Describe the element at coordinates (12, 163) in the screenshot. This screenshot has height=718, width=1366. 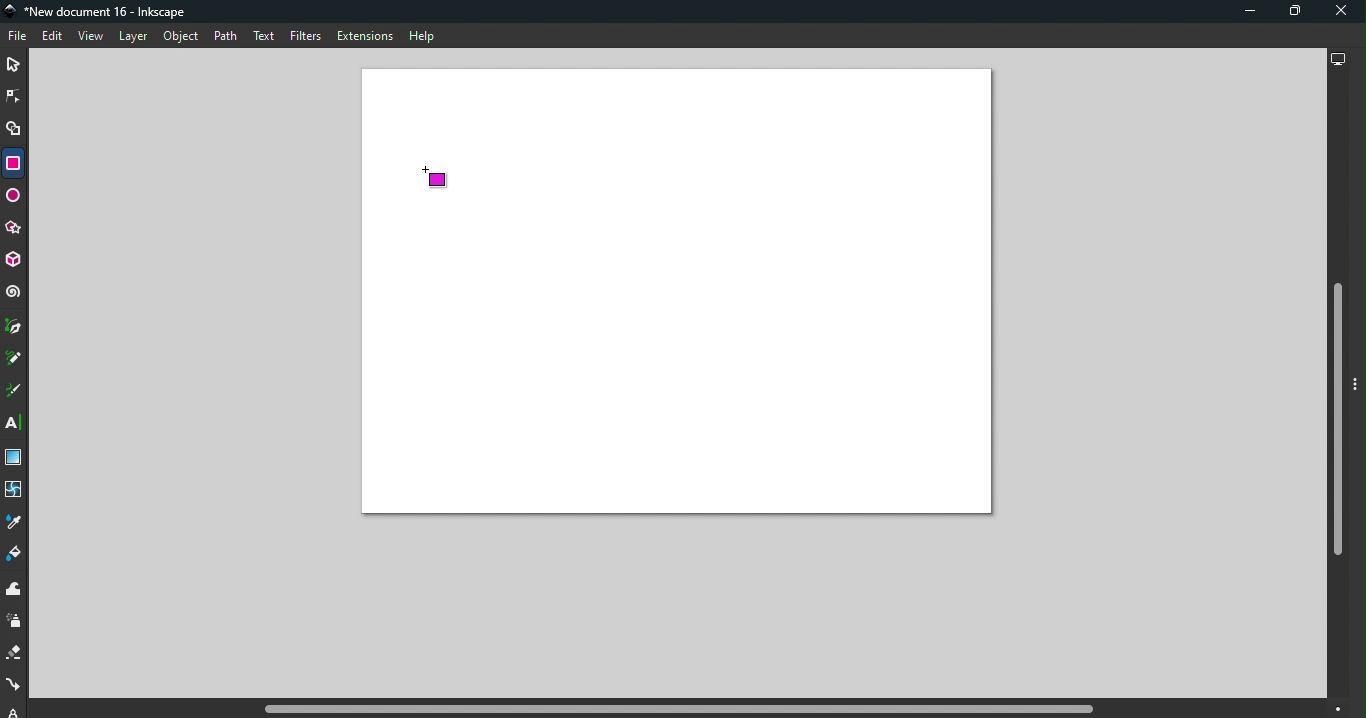
I see `Rectangle tool` at that location.